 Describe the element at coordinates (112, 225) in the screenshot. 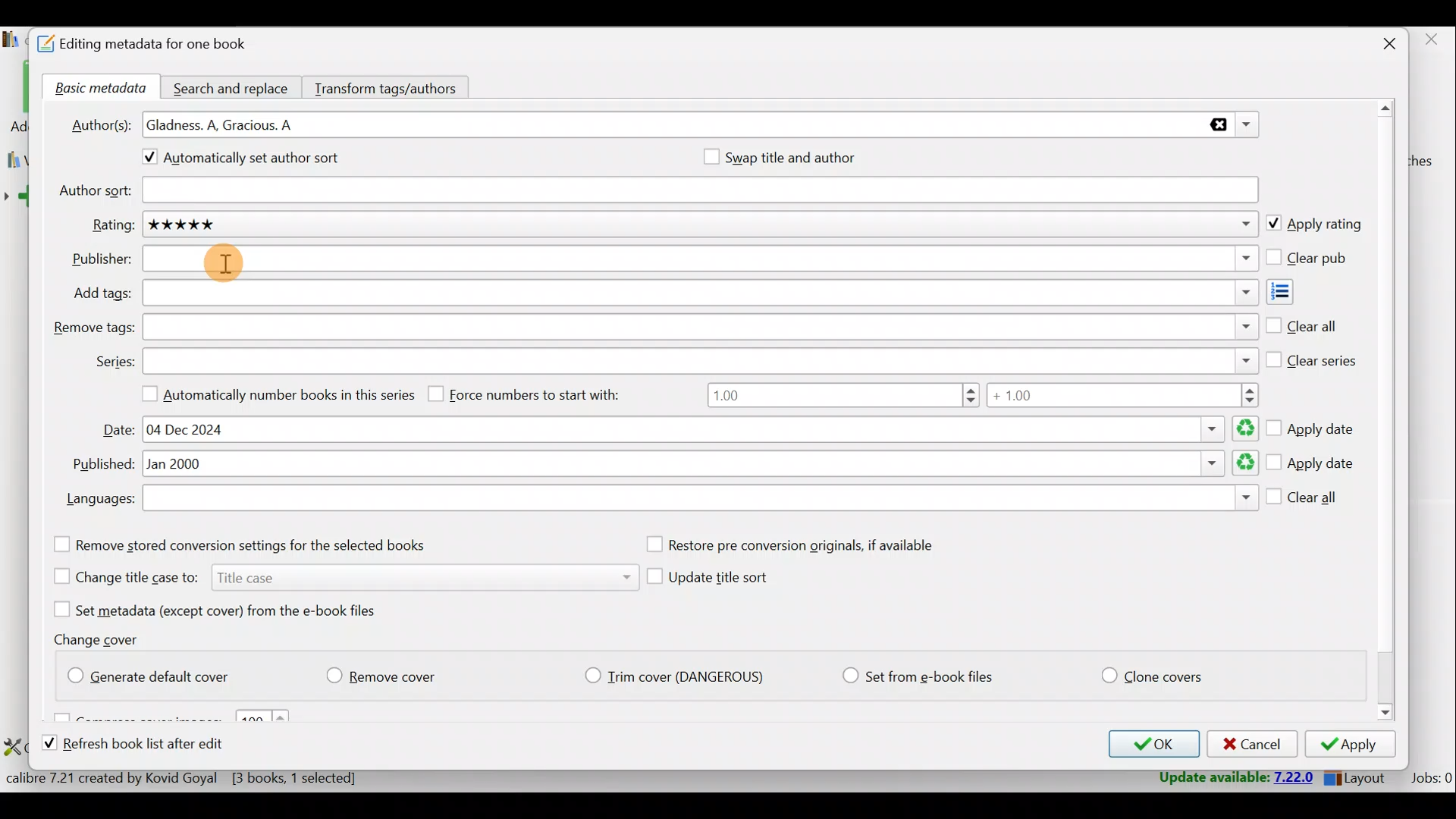

I see `Rating:` at that location.